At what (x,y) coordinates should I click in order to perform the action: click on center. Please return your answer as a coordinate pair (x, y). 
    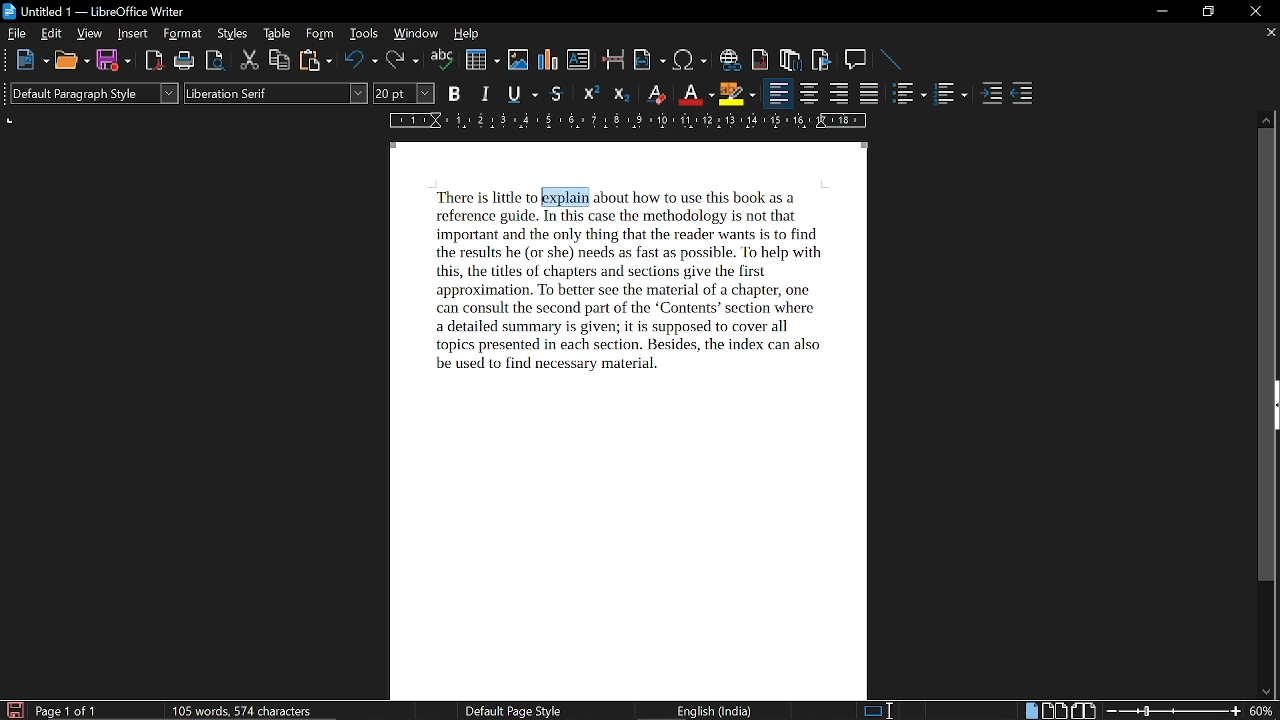
    Looking at the image, I should click on (810, 94).